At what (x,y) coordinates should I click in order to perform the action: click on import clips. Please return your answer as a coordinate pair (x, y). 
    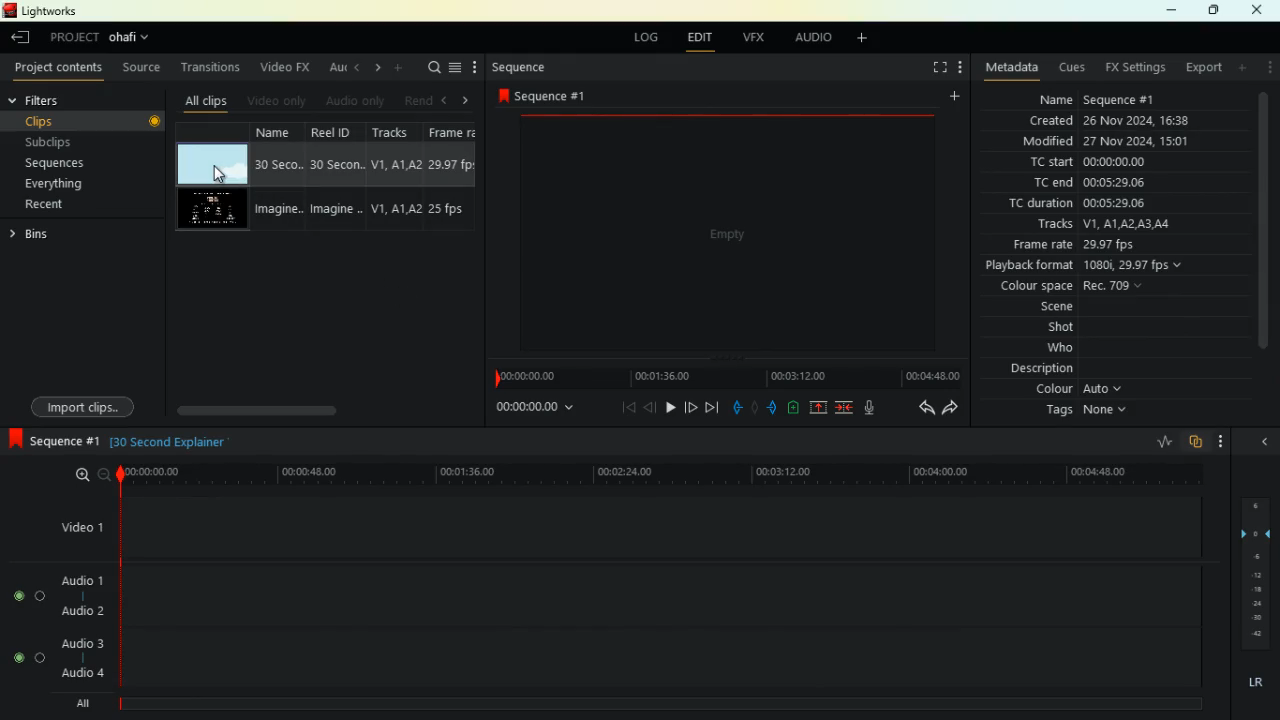
    Looking at the image, I should click on (83, 405).